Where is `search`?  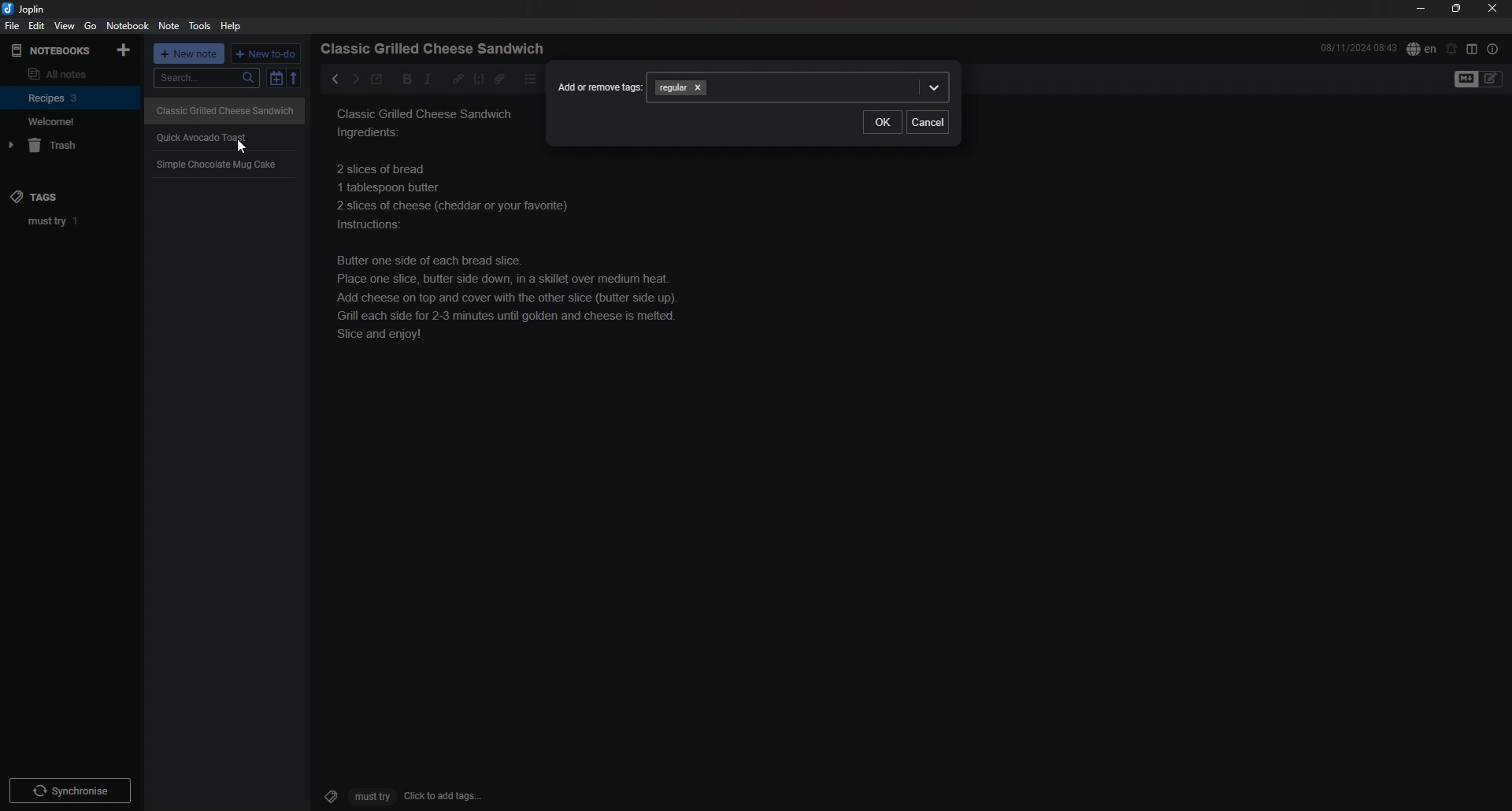
search is located at coordinates (207, 79).